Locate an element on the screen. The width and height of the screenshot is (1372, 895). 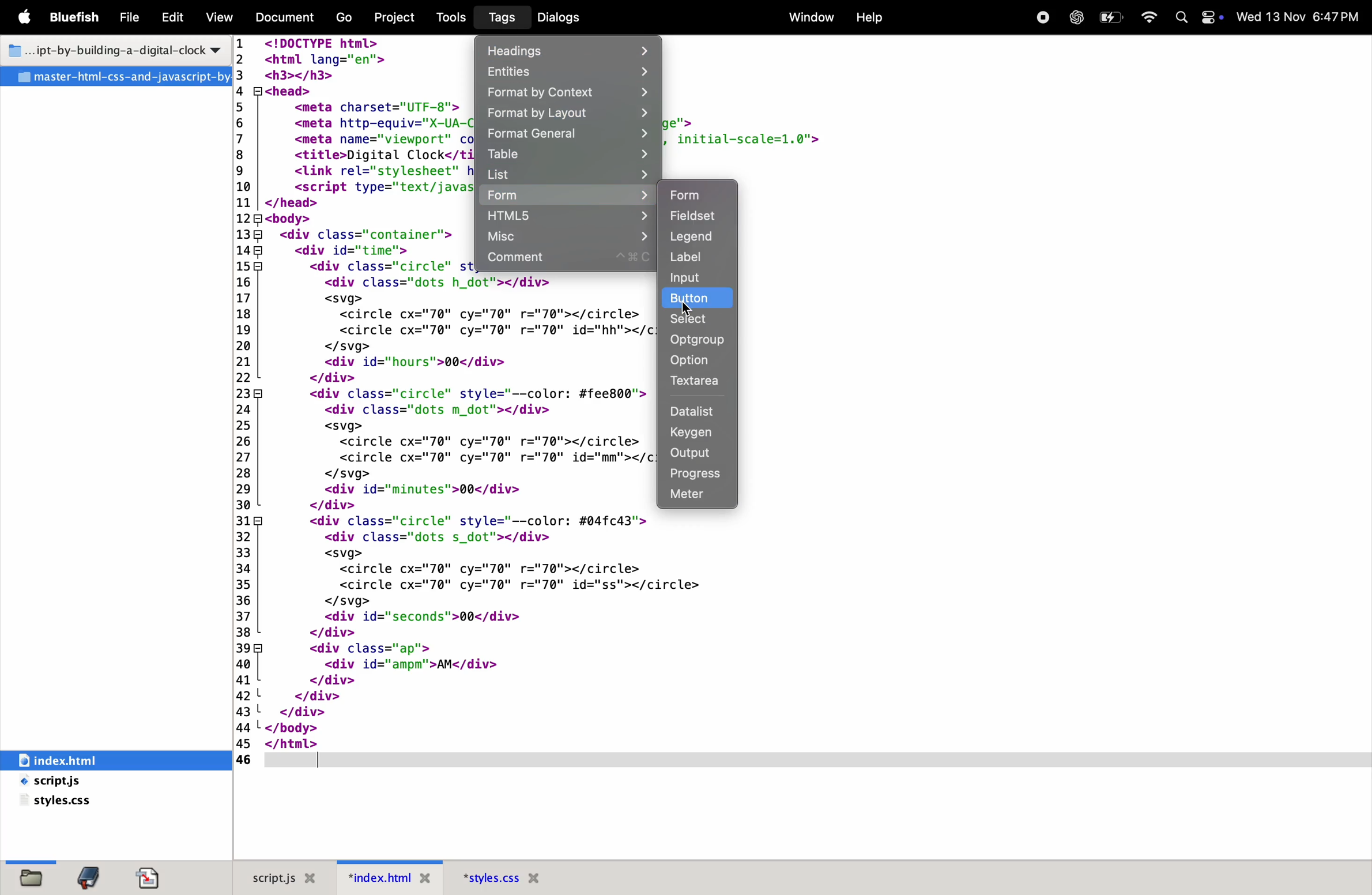
headings is located at coordinates (570, 51).